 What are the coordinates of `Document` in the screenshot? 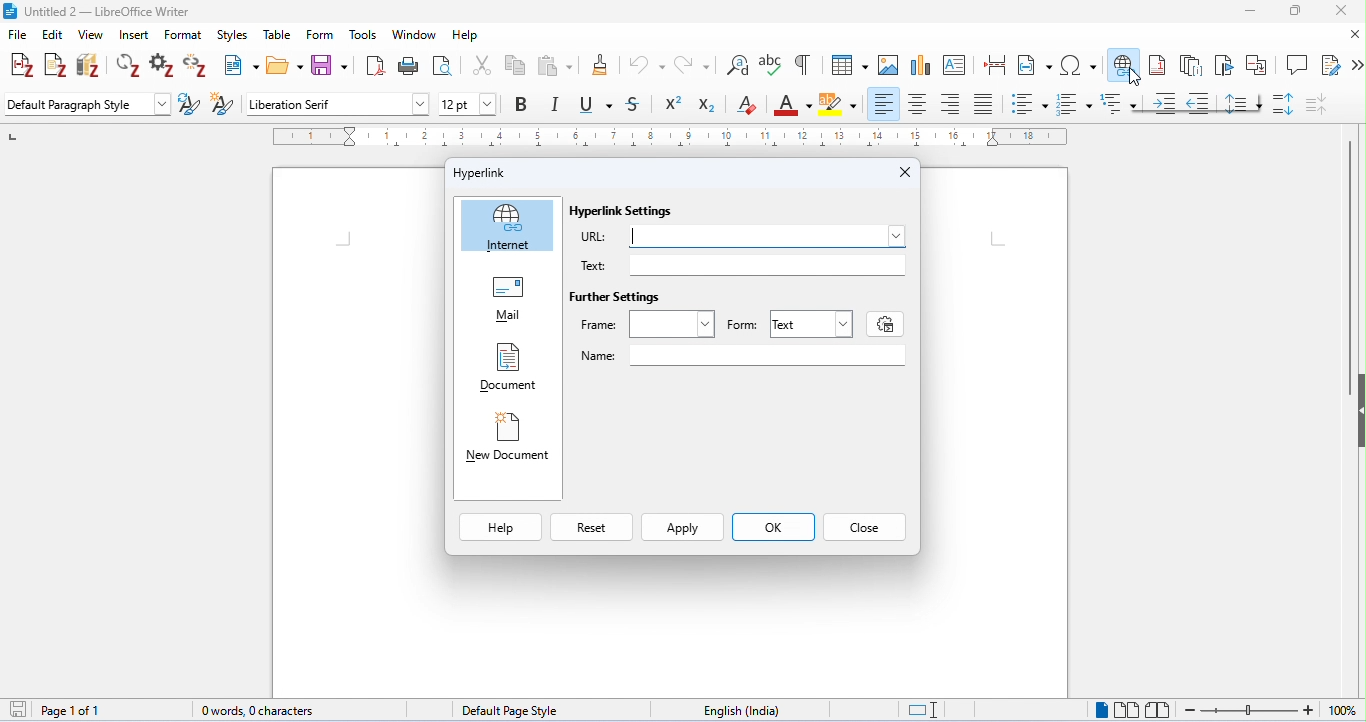 It's located at (506, 364).